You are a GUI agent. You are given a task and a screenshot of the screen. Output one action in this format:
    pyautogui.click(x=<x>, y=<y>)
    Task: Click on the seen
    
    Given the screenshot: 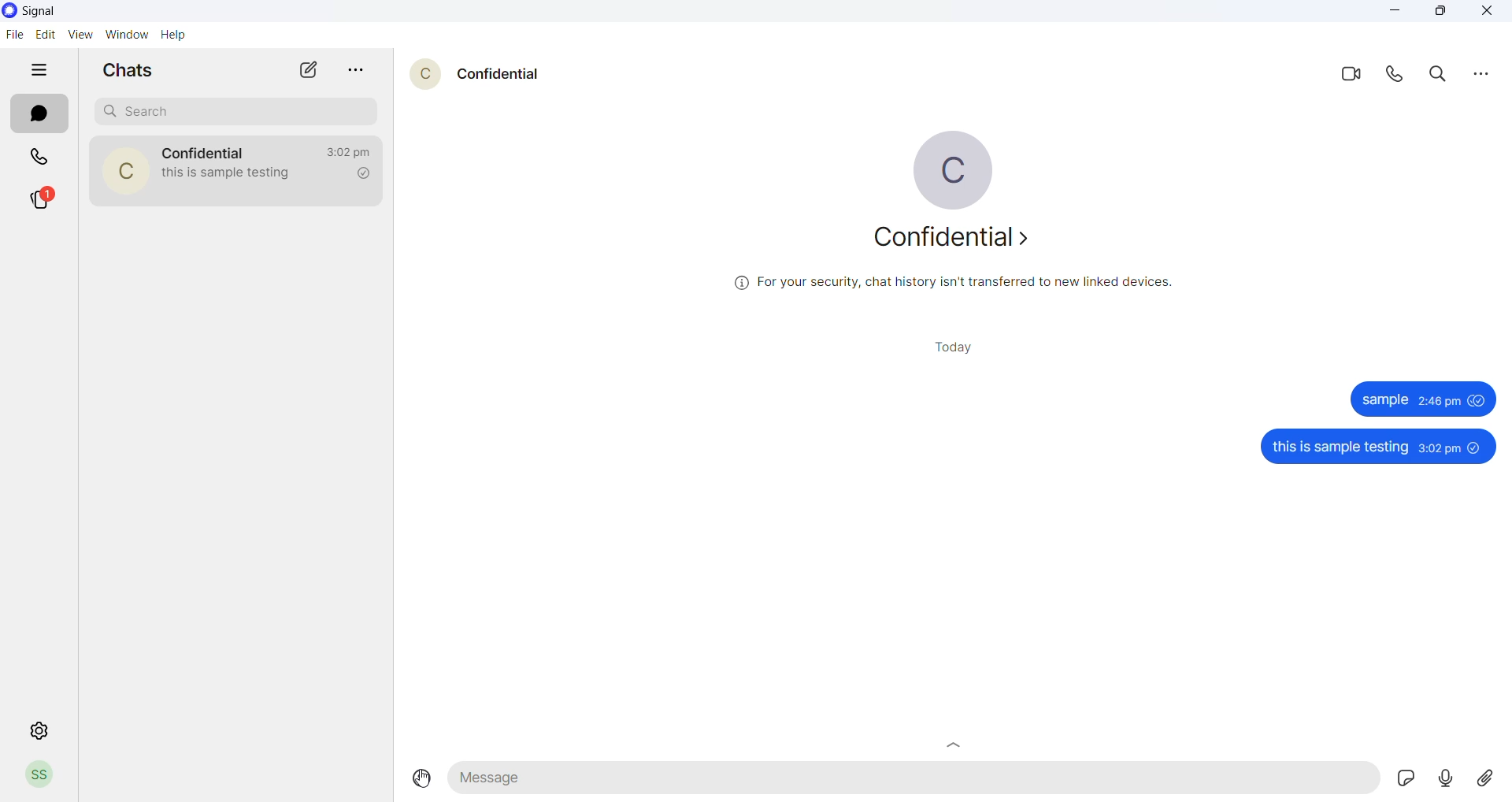 What is the action you would take?
    pyautogui.click(x=1477, y=400)
    